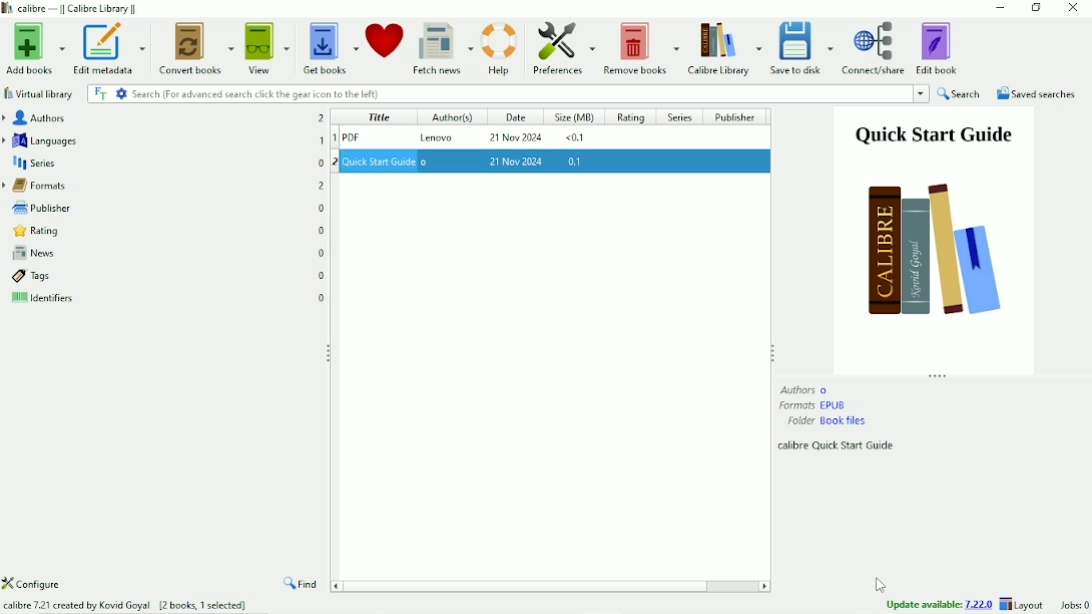 Image resolution: width=1092 pixels, height=614 pixels. Describe the element at coordinates (167, 301) in the screenshot. I see `Identifiers` at that location.